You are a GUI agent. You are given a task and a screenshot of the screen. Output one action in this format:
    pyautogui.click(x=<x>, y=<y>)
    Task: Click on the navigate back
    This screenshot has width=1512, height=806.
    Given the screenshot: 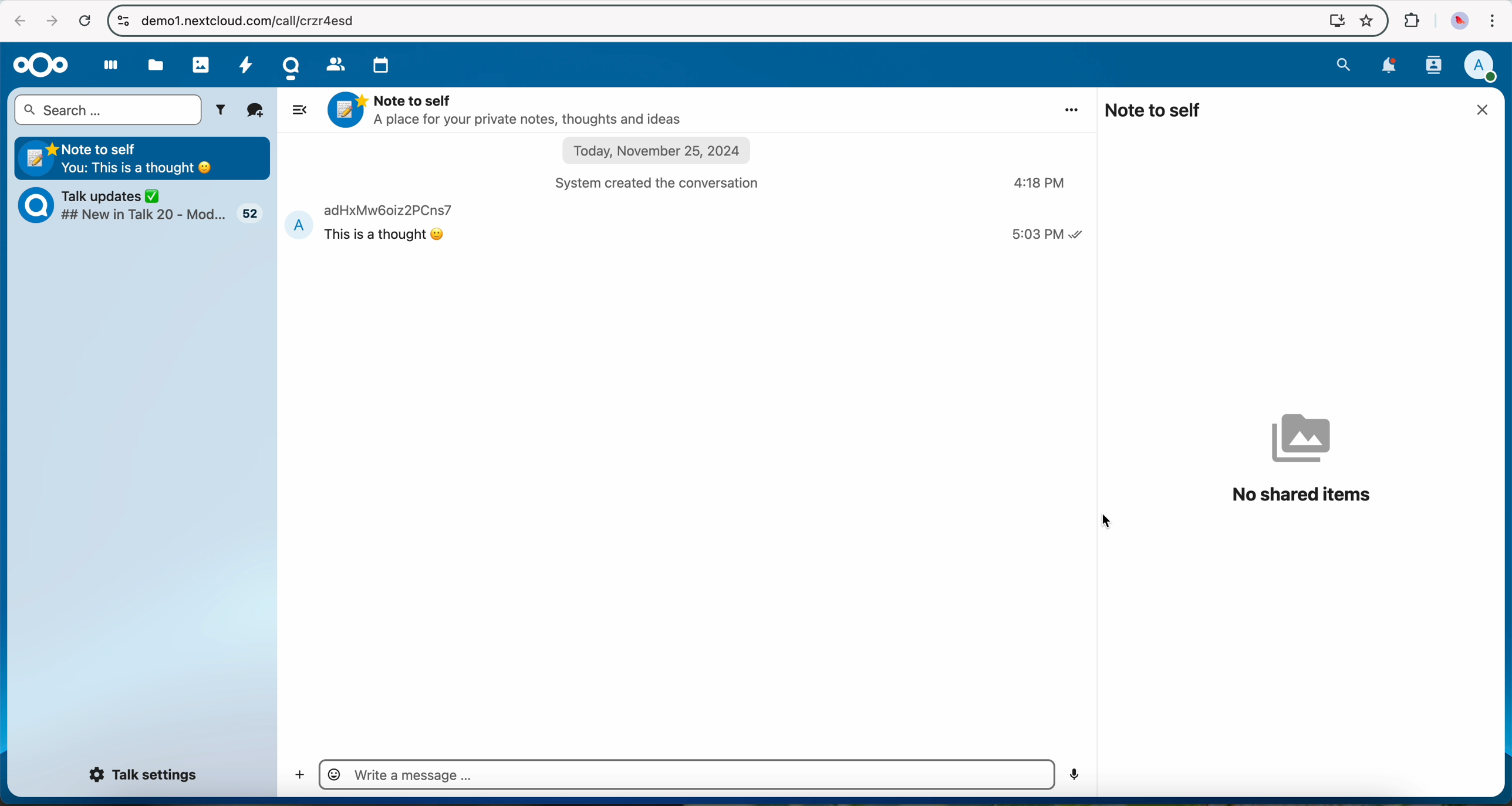 What is the action you would take?
    pyautogui.click(x=16, y=21)
    